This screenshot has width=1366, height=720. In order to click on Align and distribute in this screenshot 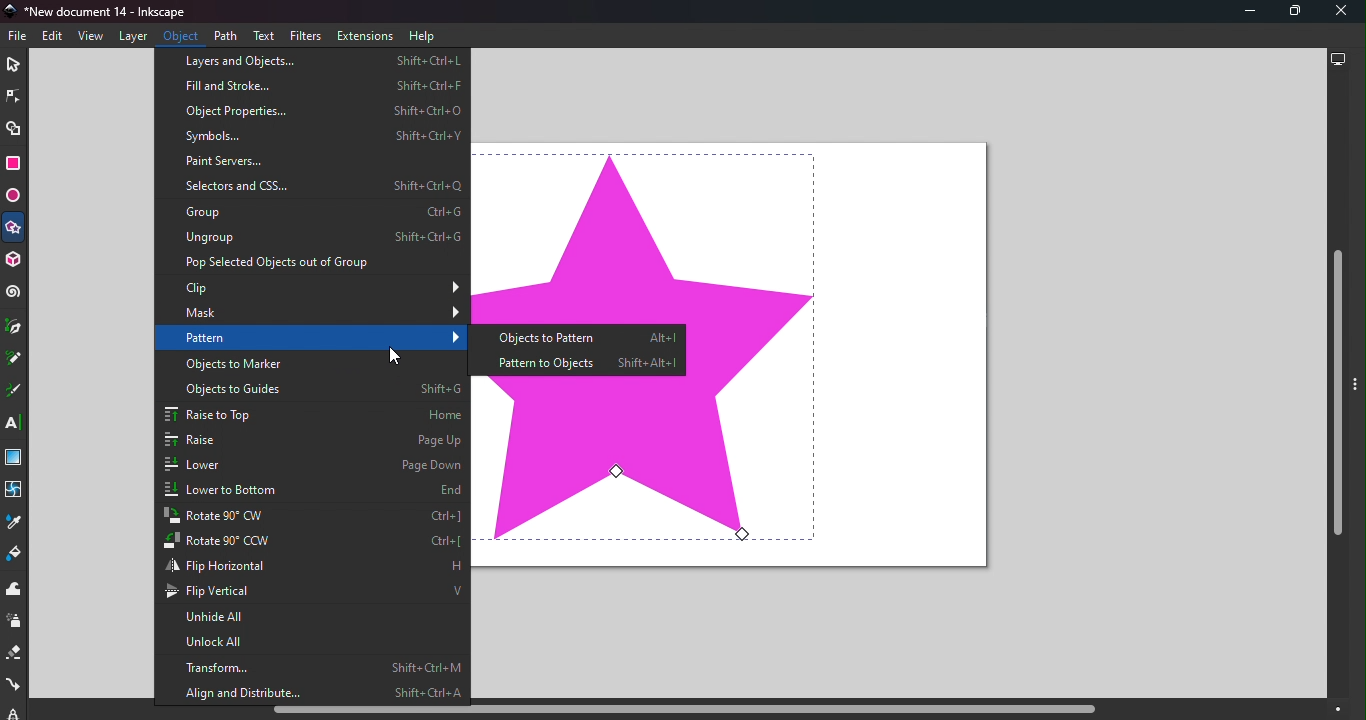, I will do `click(316, 694)`.